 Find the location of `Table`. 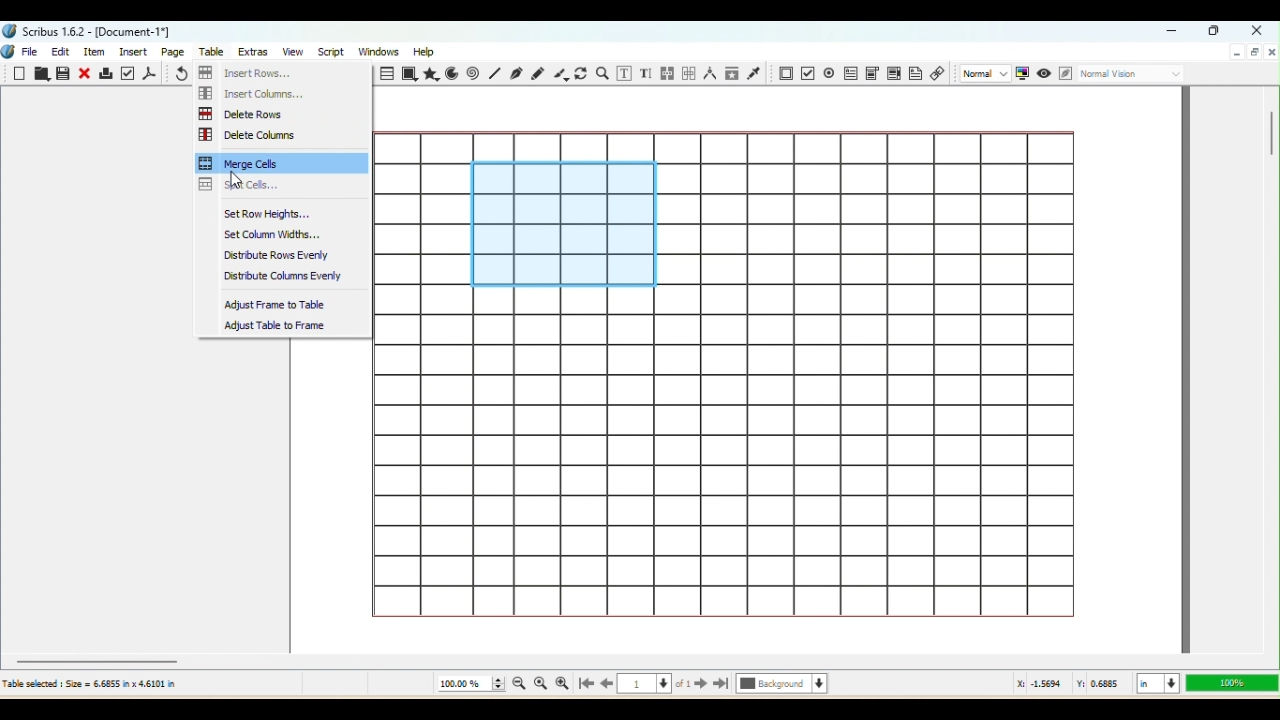

Table is located at coordinates (215, 53).